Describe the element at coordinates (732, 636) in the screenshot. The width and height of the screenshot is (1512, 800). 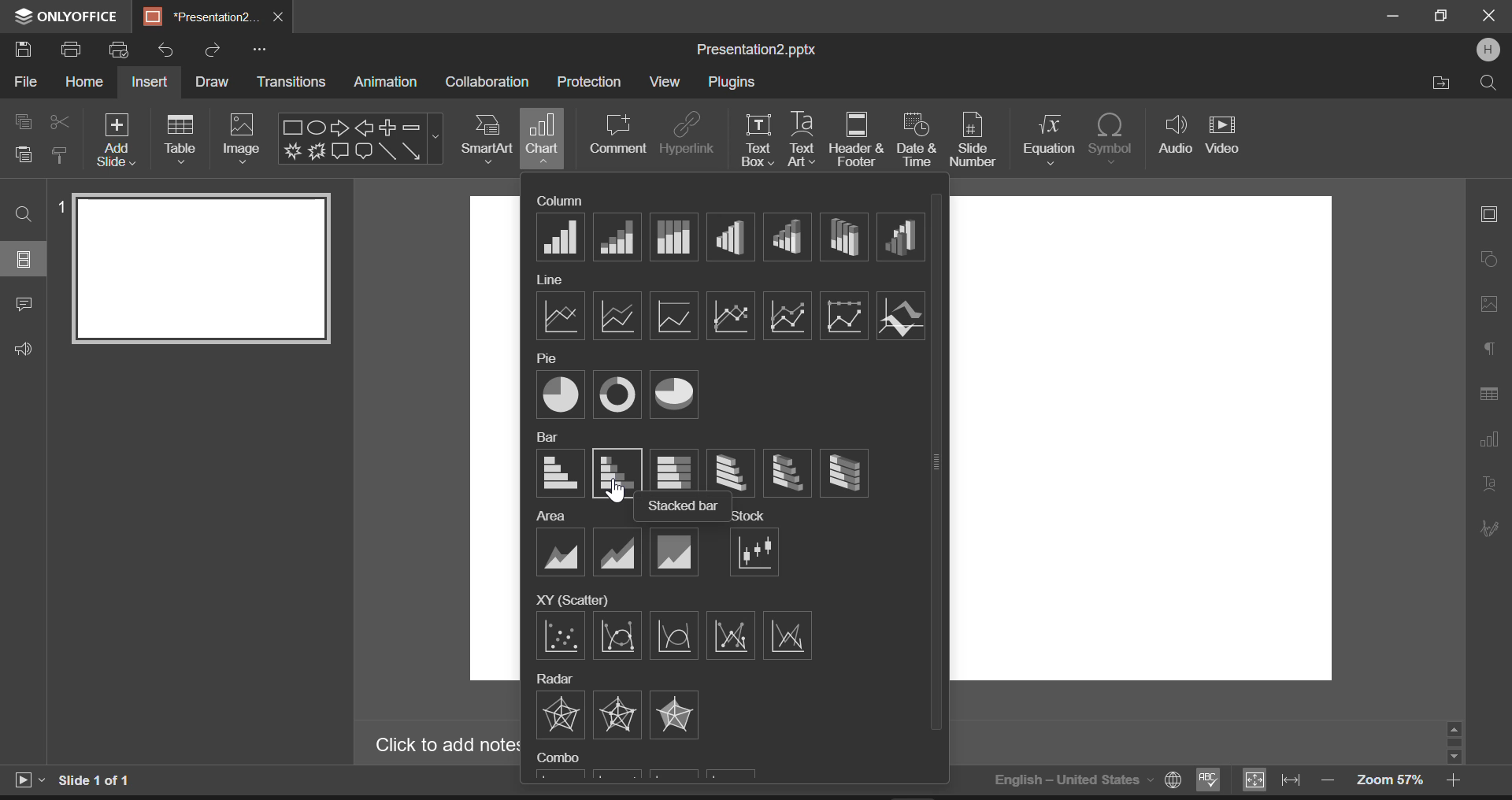
I see `Scatter with straight lines and markers` at that location.